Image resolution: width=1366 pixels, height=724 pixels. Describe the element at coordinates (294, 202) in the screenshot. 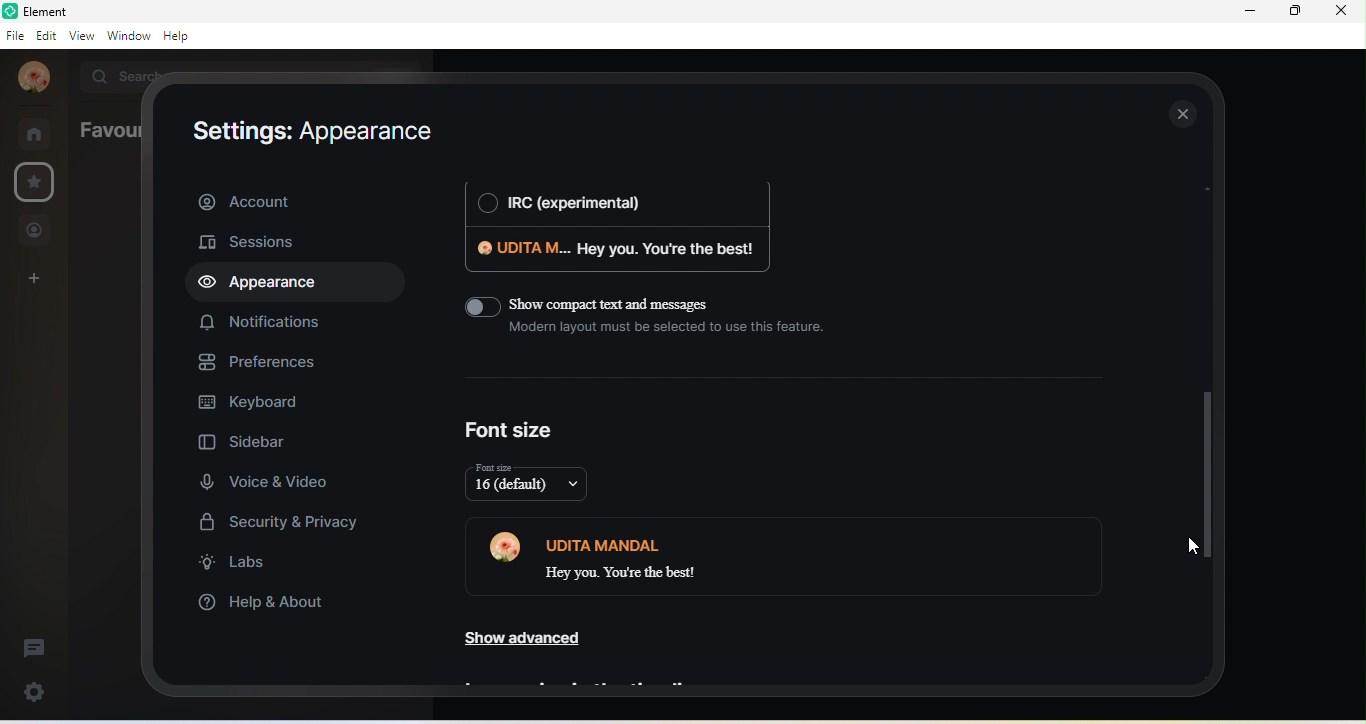

I see `account` at that location.